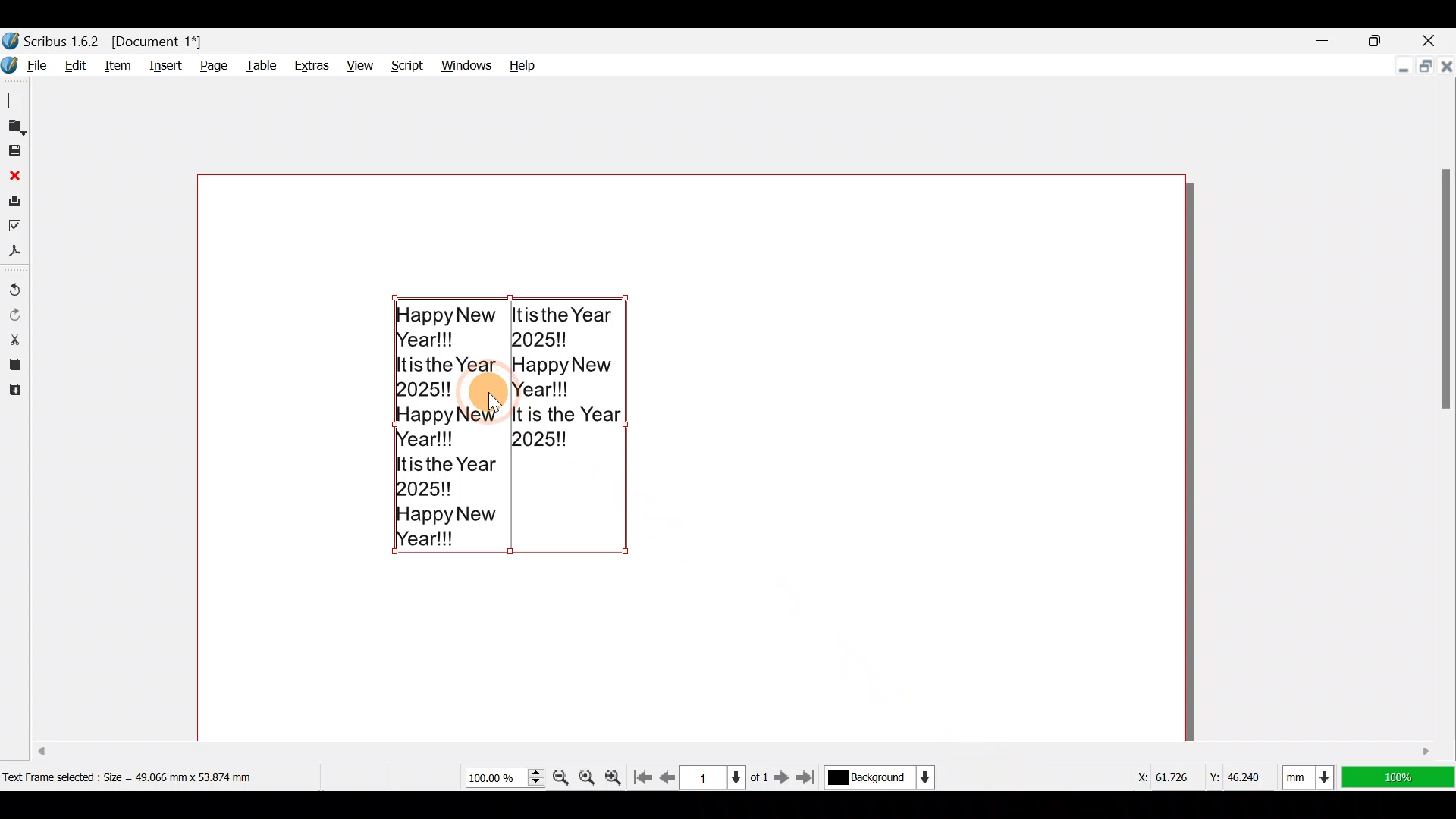  Describe the element at coordinates (17, 229) in the screenshot. I see `Preflight verifier` at that location.